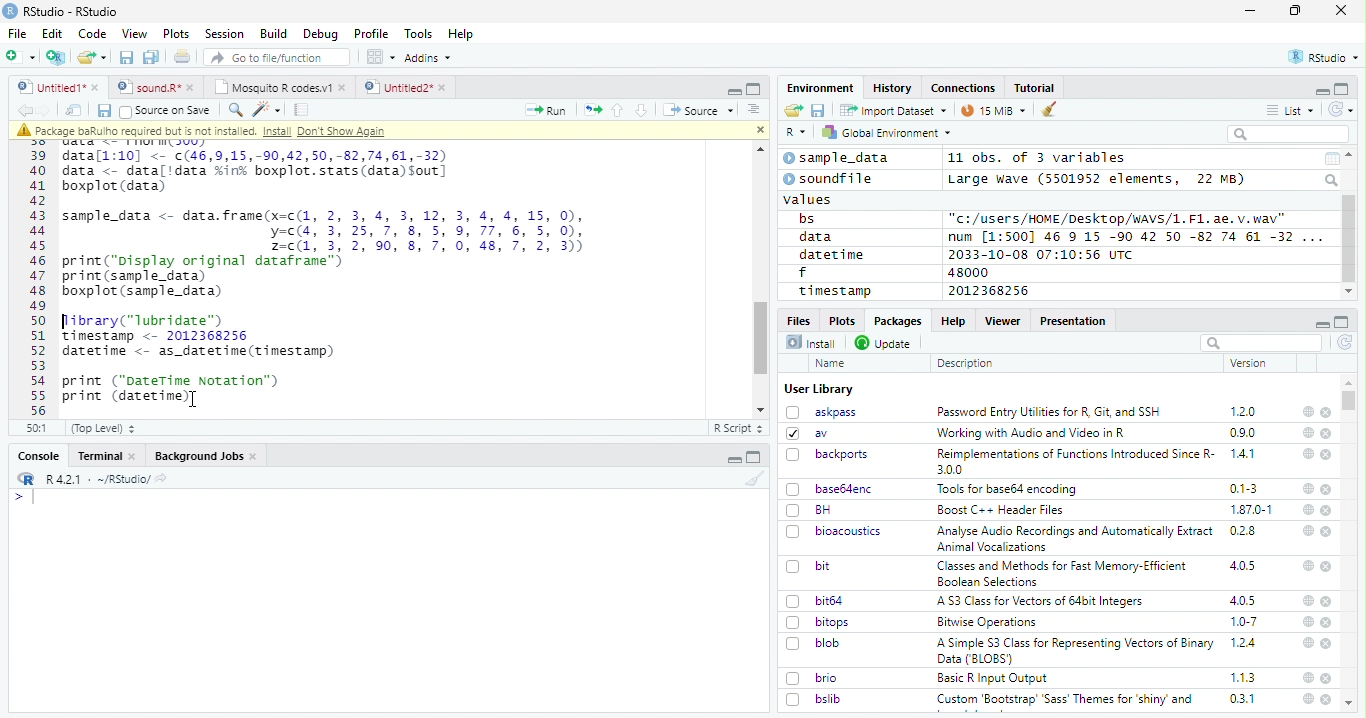 The width and height of the screenshot is (1366, 718). I want to click on values, so click(809, 198).